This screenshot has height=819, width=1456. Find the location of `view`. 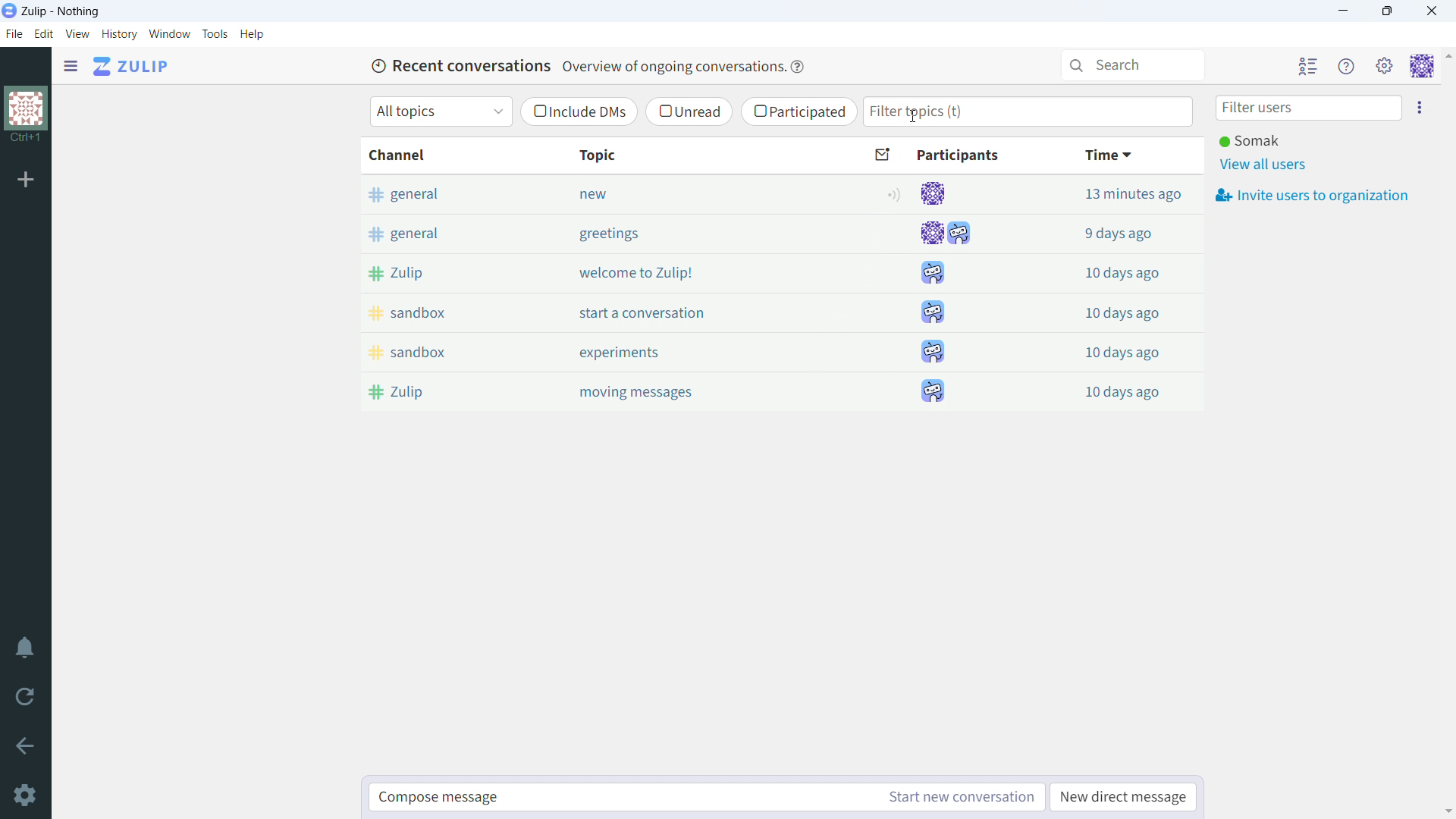

view is located at coordinates (77, 34).